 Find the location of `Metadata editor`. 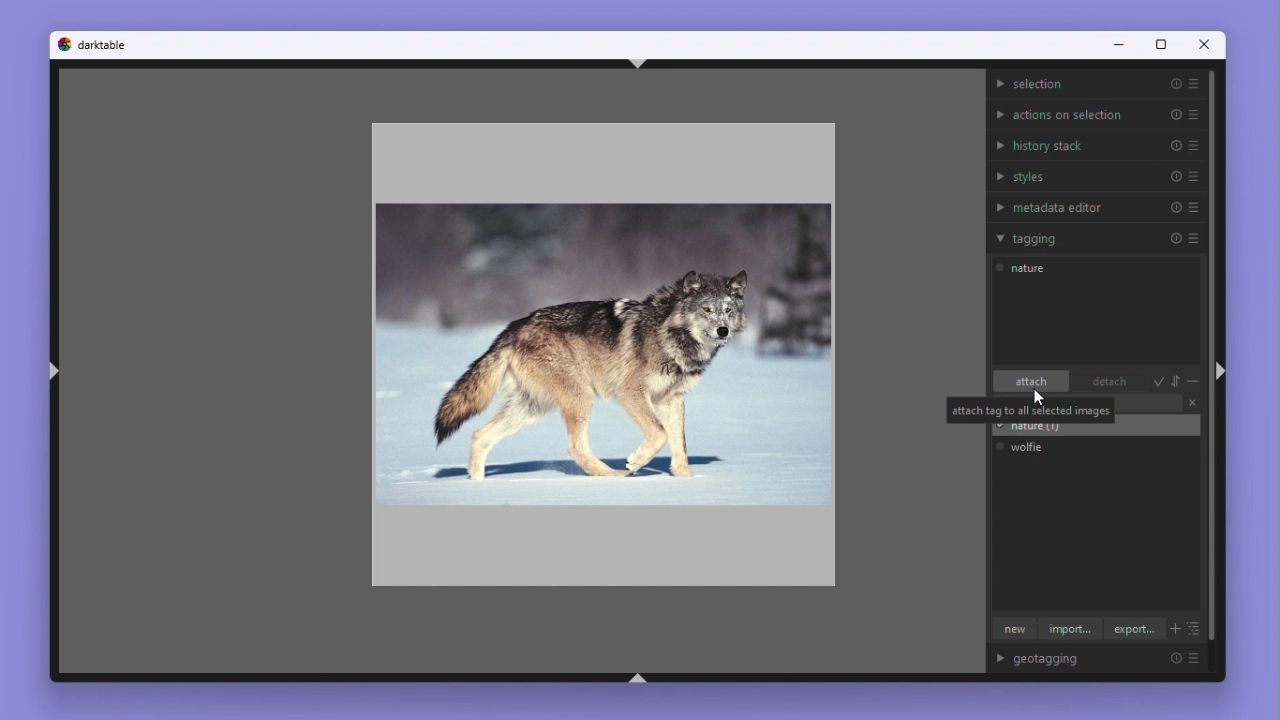

Metadata editor is located at coordinates (1097, 205).